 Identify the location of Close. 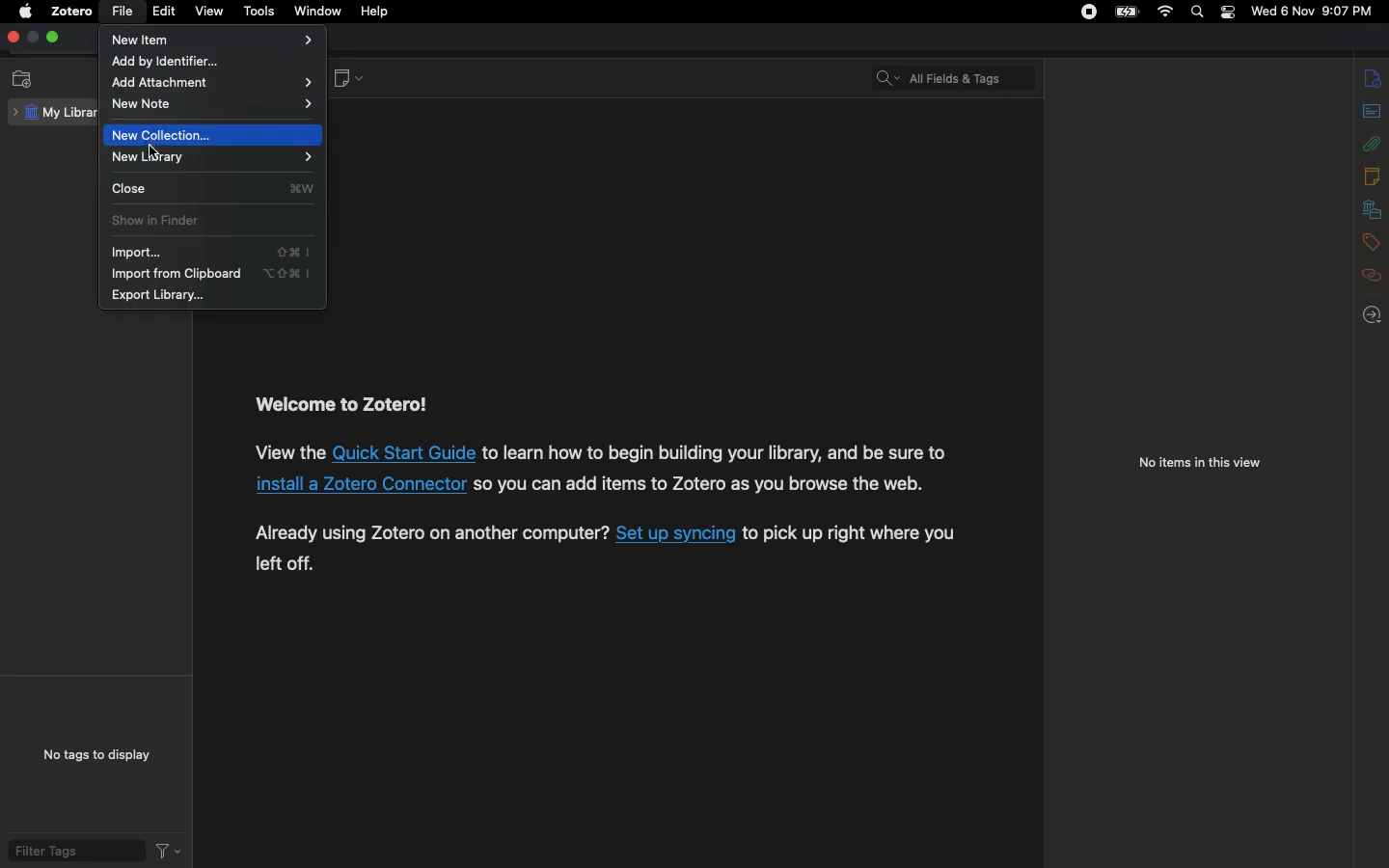
(12, 38).